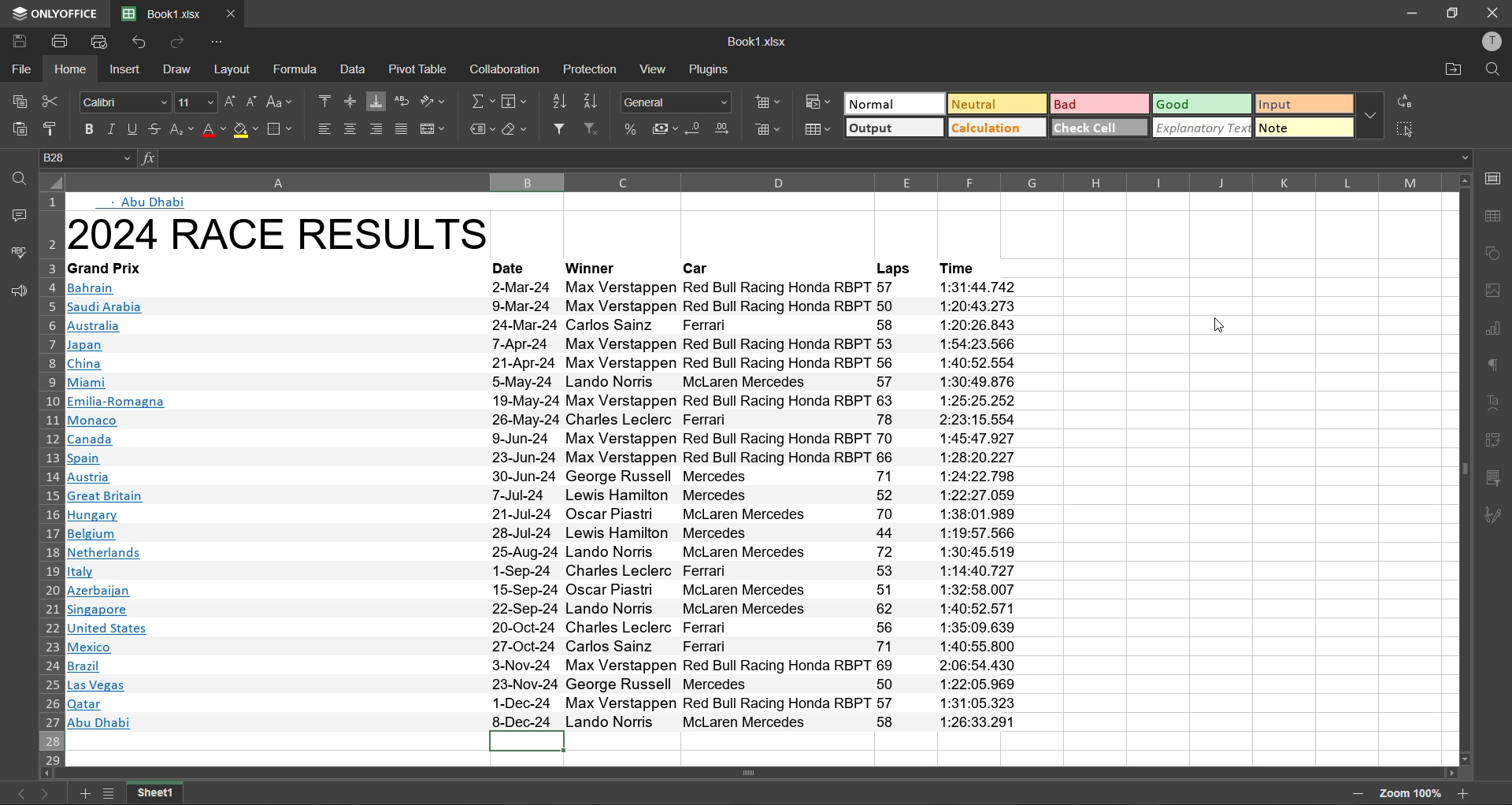  I want to click on orientation, so click(434, 101).